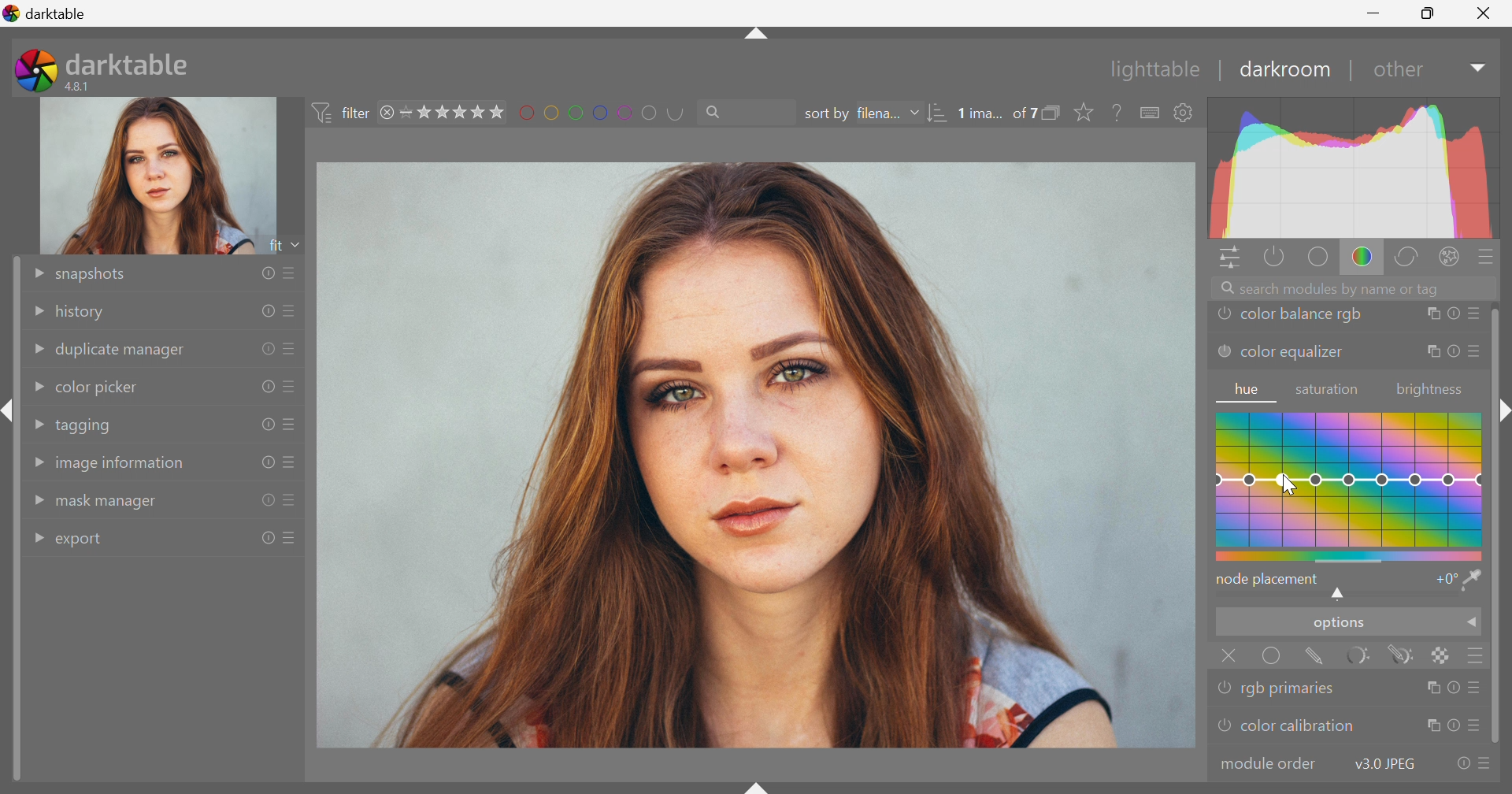 The height and width of the screenshot is (794, 1512). Describe the element at coordinates (36, 536) in the screenshot. I see `Drop Down` at that location.